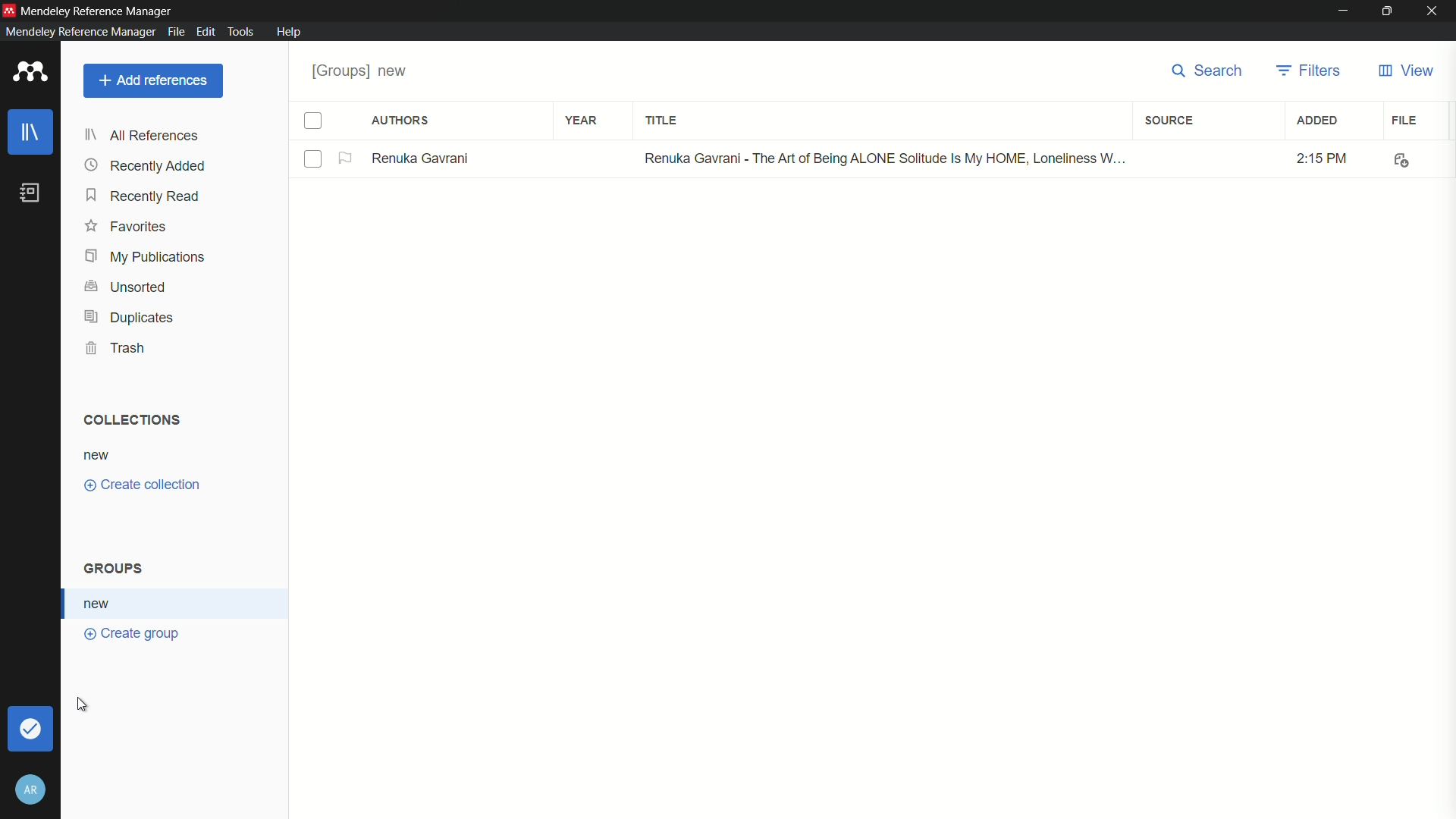 The height and width of the screenshot is (819, 1456). Describe the element at coordinates (1404, 121) in the screenshot. I see `file` at that location.